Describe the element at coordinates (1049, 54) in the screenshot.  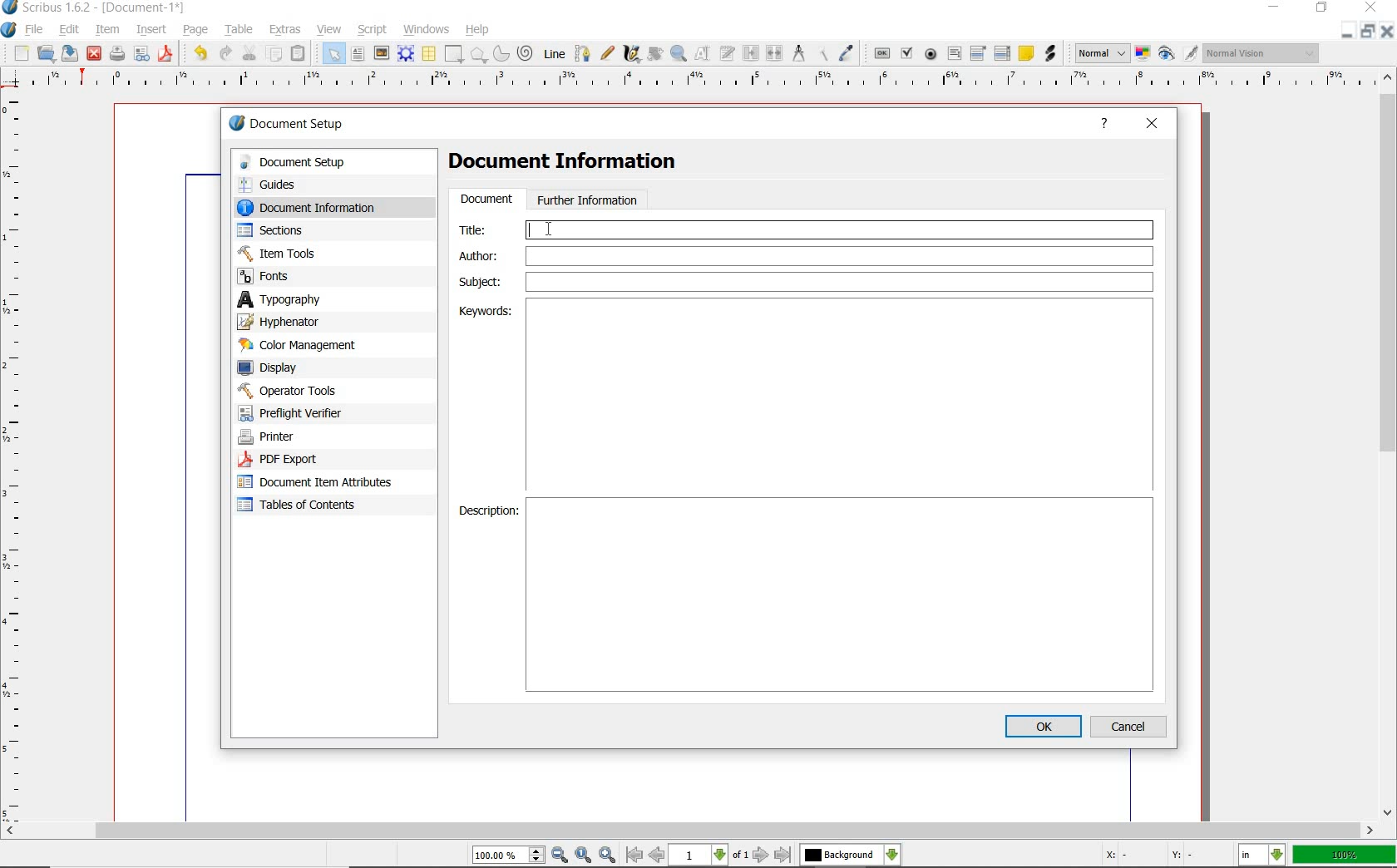
I see `link annotation` at that location.